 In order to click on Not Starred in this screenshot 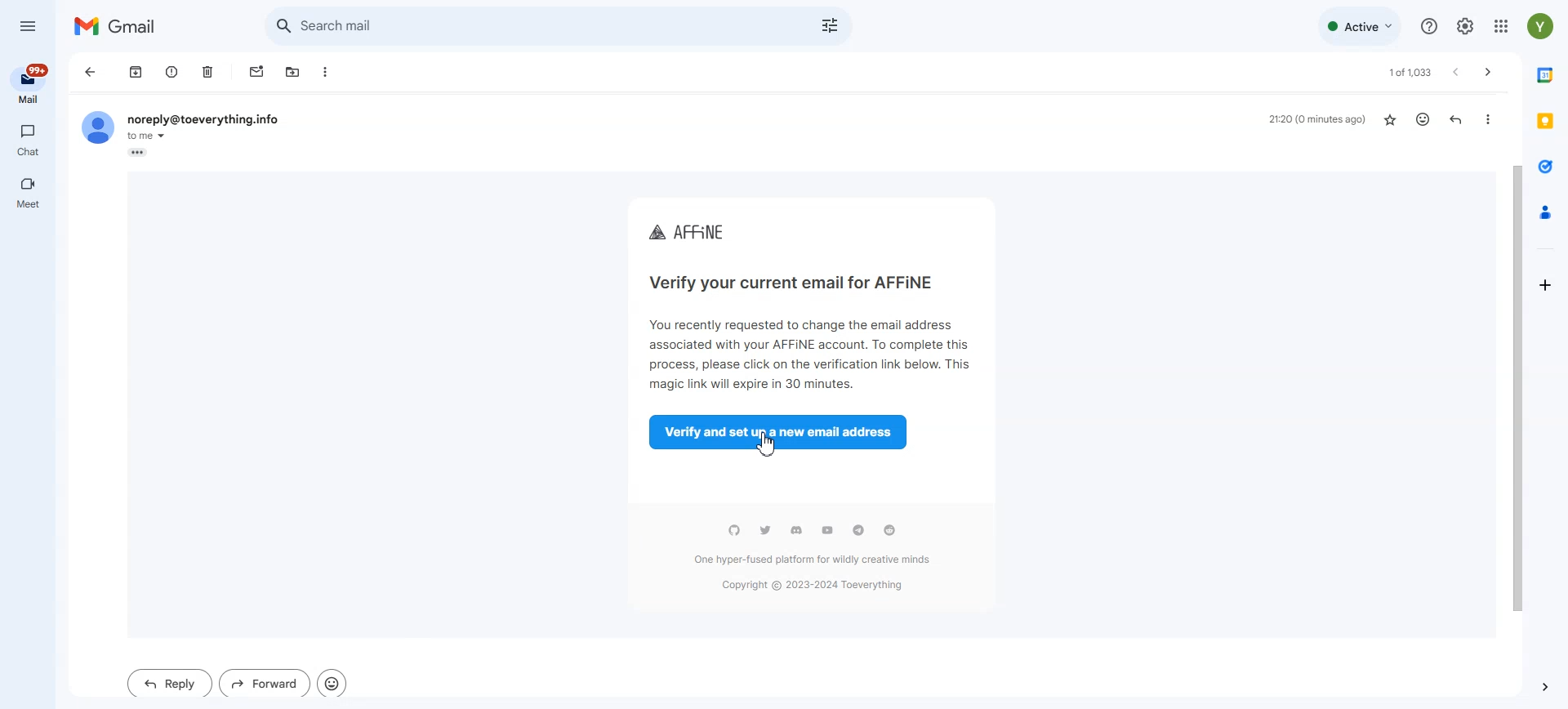, I will do `click(1391, 120)`.